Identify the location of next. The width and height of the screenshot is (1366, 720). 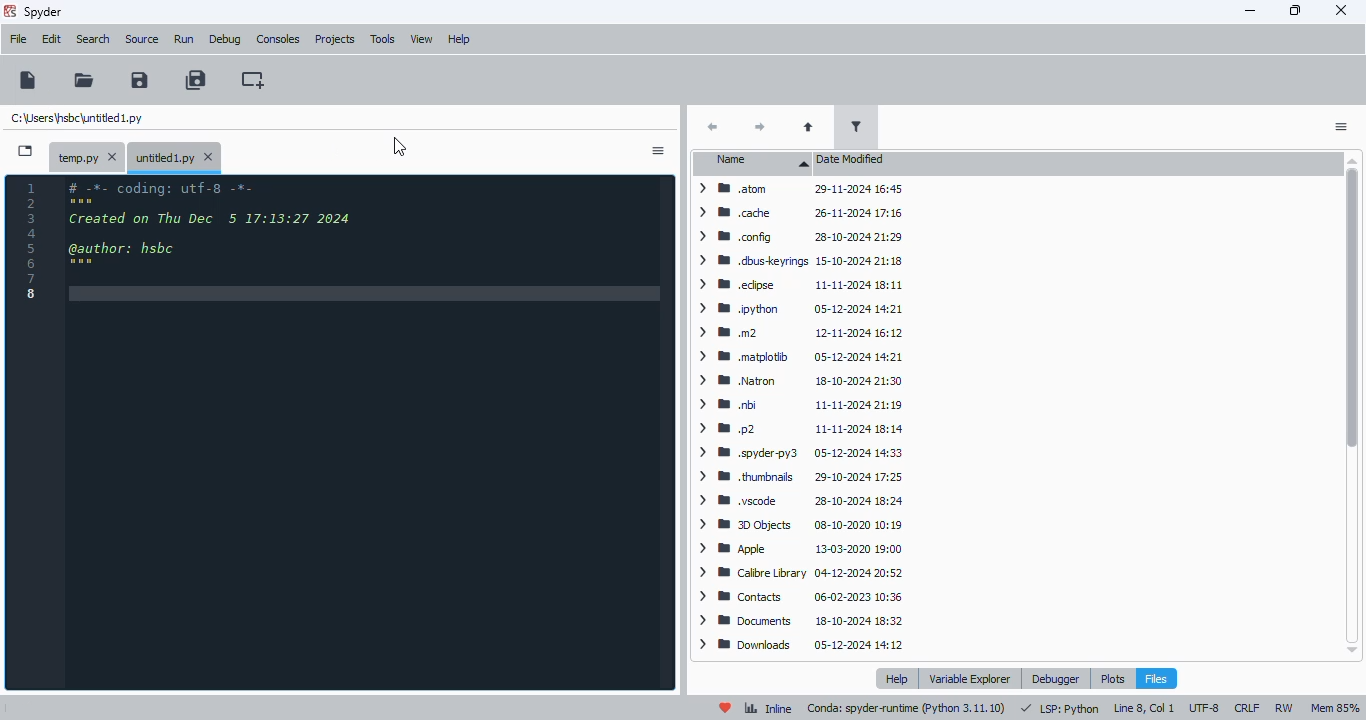
(762, 126).